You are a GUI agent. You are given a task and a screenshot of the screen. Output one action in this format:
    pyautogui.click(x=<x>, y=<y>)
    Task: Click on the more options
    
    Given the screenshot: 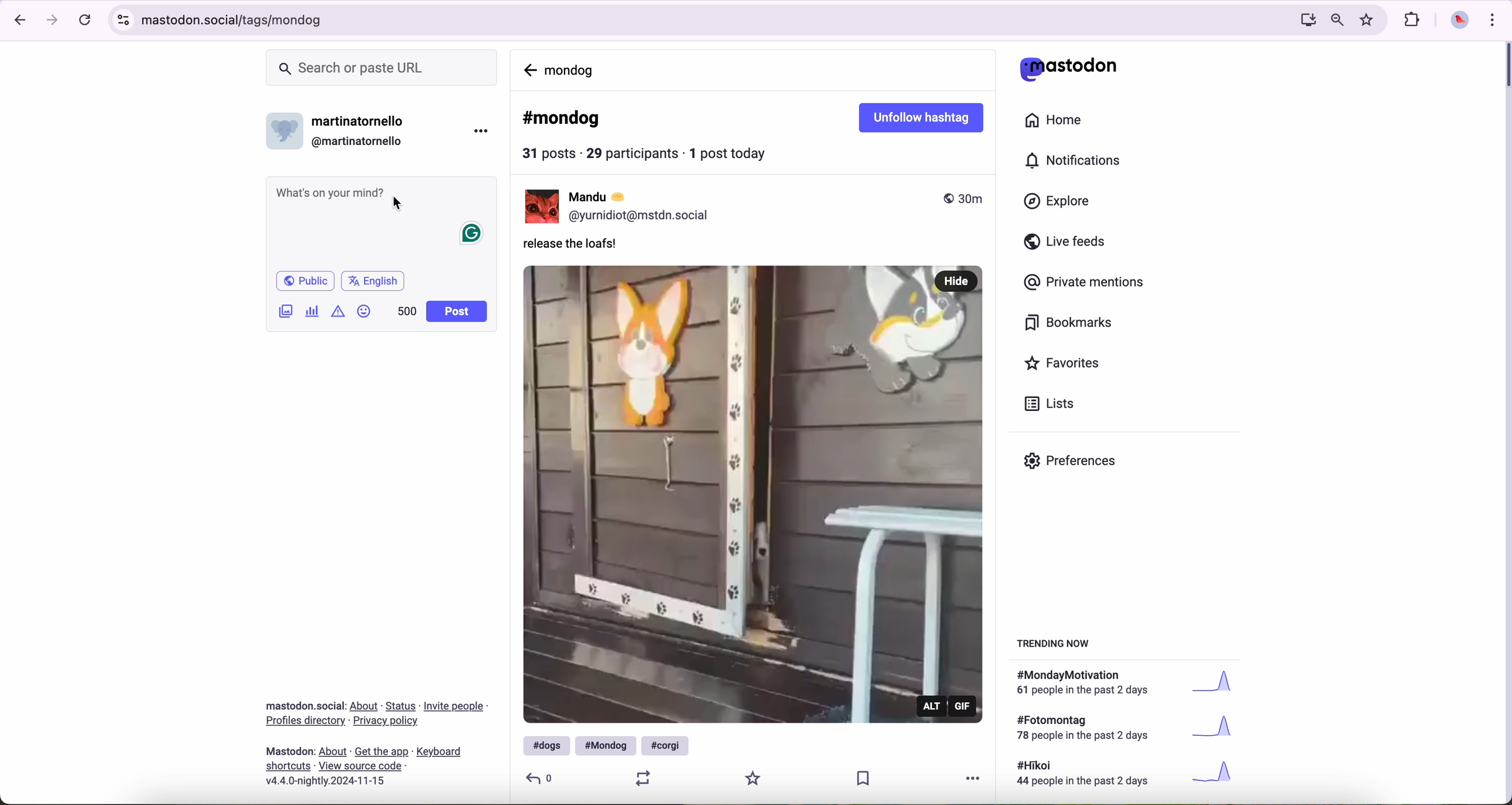 What is the action you would take?
    pyautogui.click(x=978, y=777)
    